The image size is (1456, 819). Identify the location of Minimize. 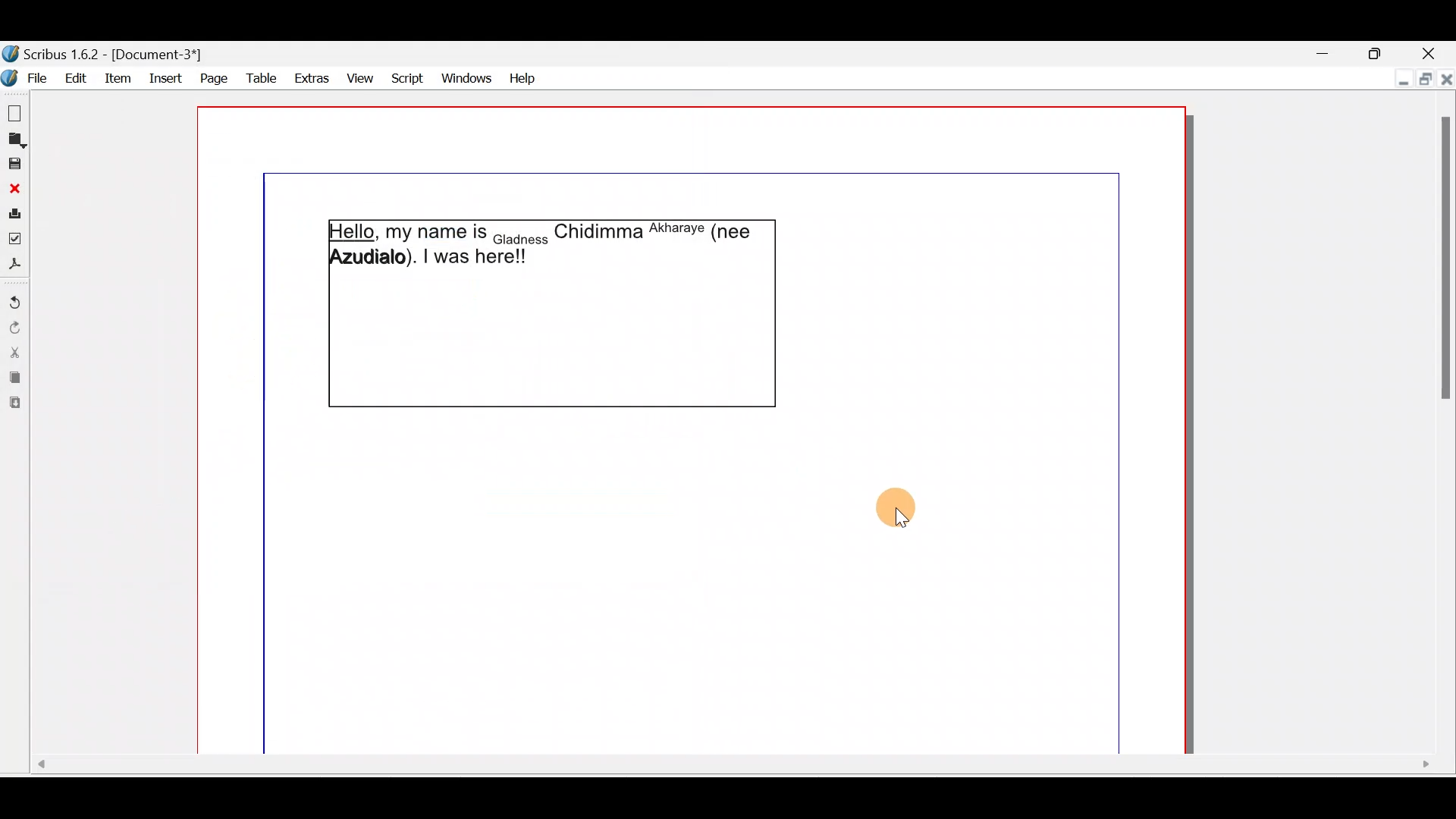
(1400, 81).